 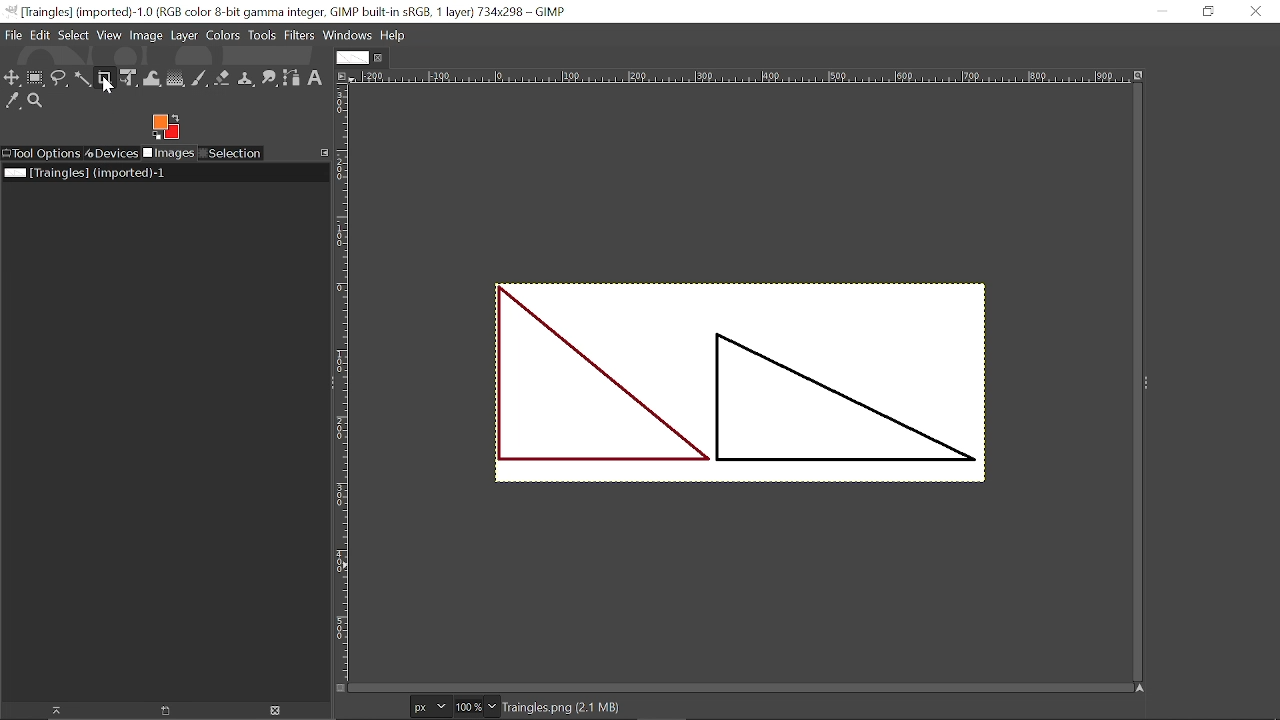 What do you see at coordinates (299, 36) in the screenshot?
I see `Filters` at bounding box center [299, 36].